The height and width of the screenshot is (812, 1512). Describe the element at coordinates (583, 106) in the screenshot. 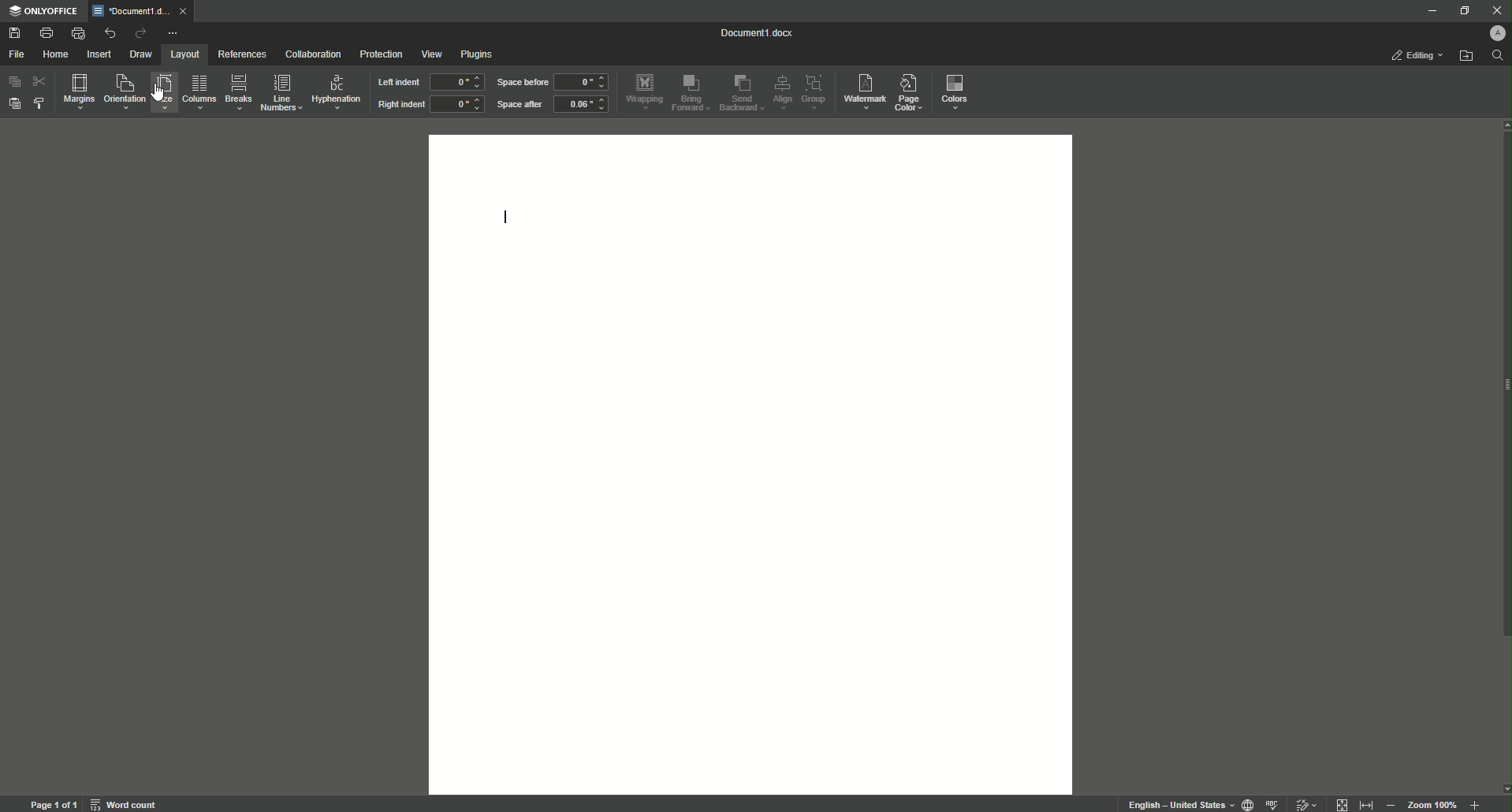

I see `0.06` at that location.